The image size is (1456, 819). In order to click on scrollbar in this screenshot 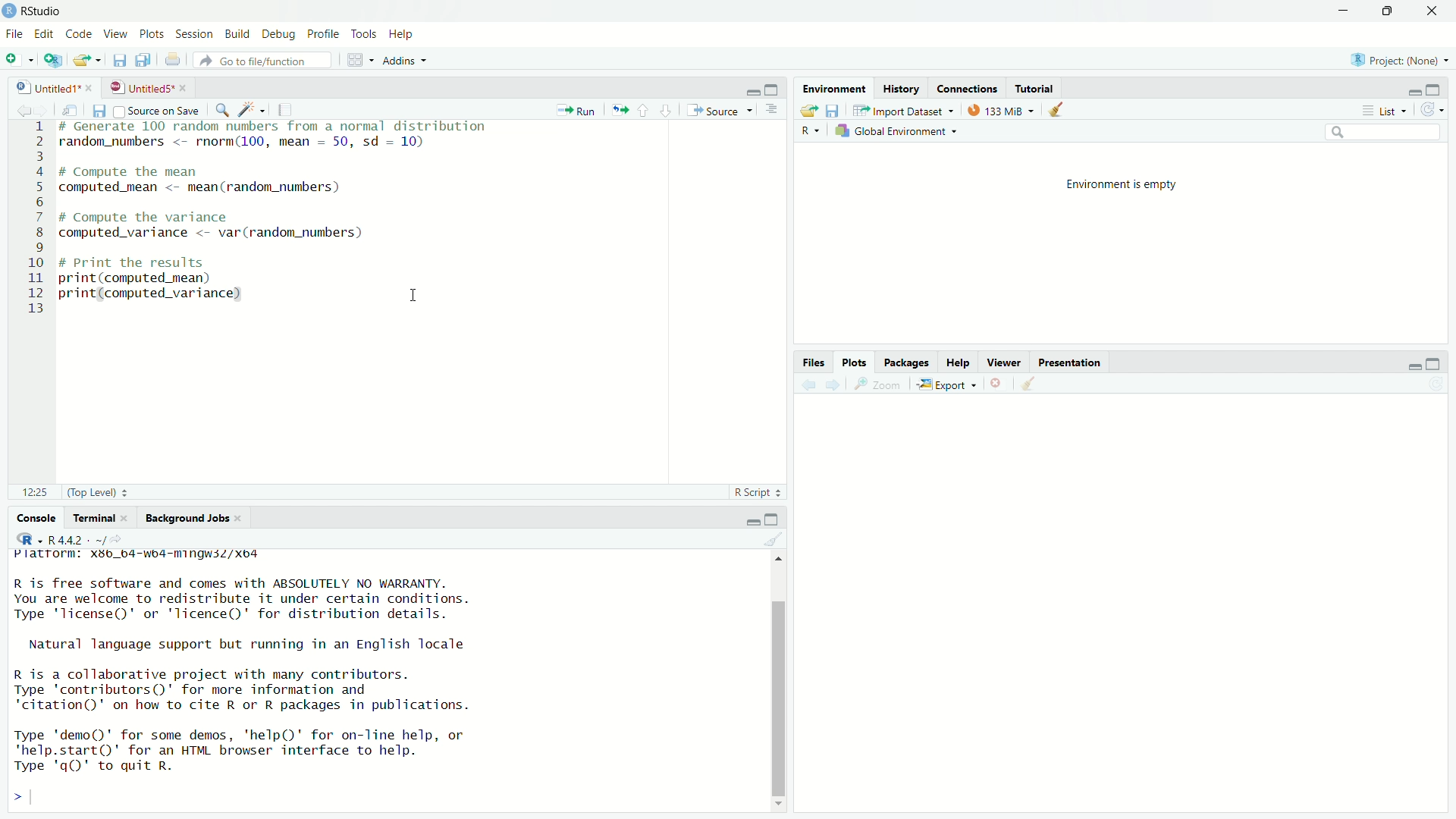, I will do `click(776, 688)`.